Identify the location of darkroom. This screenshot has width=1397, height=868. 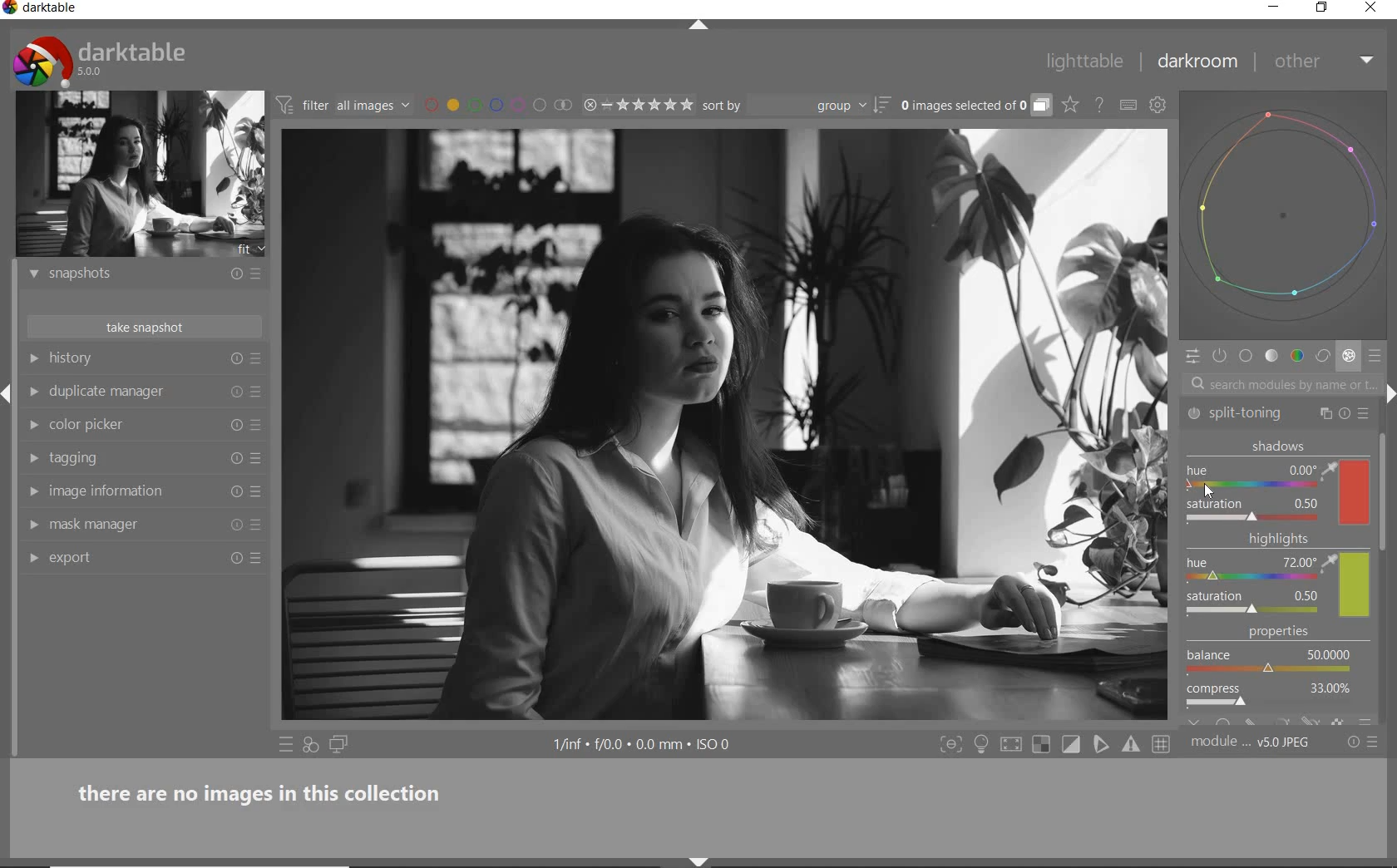
(1198, 65).